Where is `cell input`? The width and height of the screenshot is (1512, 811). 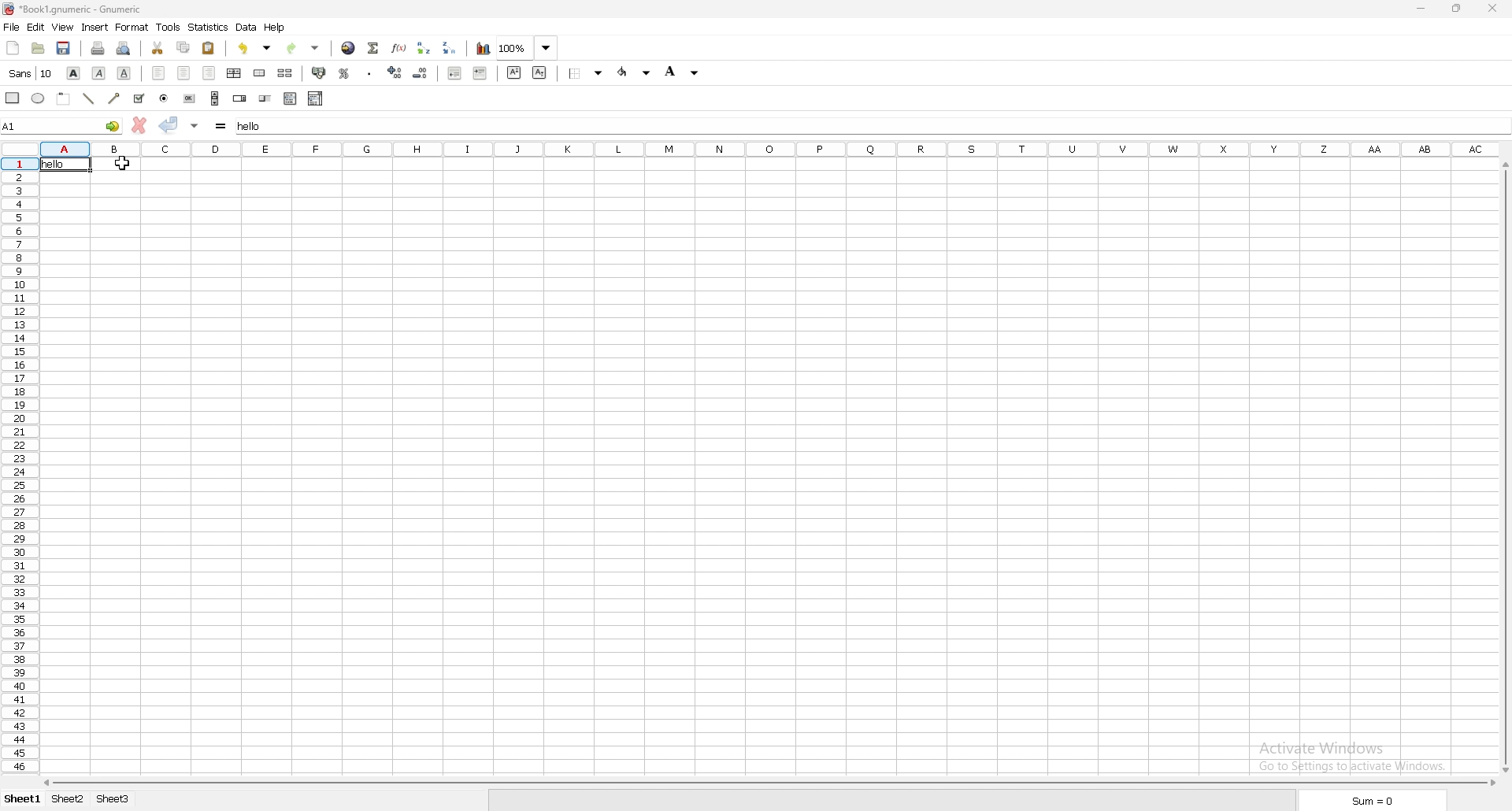 cell input is located at coordinates (865, 125).